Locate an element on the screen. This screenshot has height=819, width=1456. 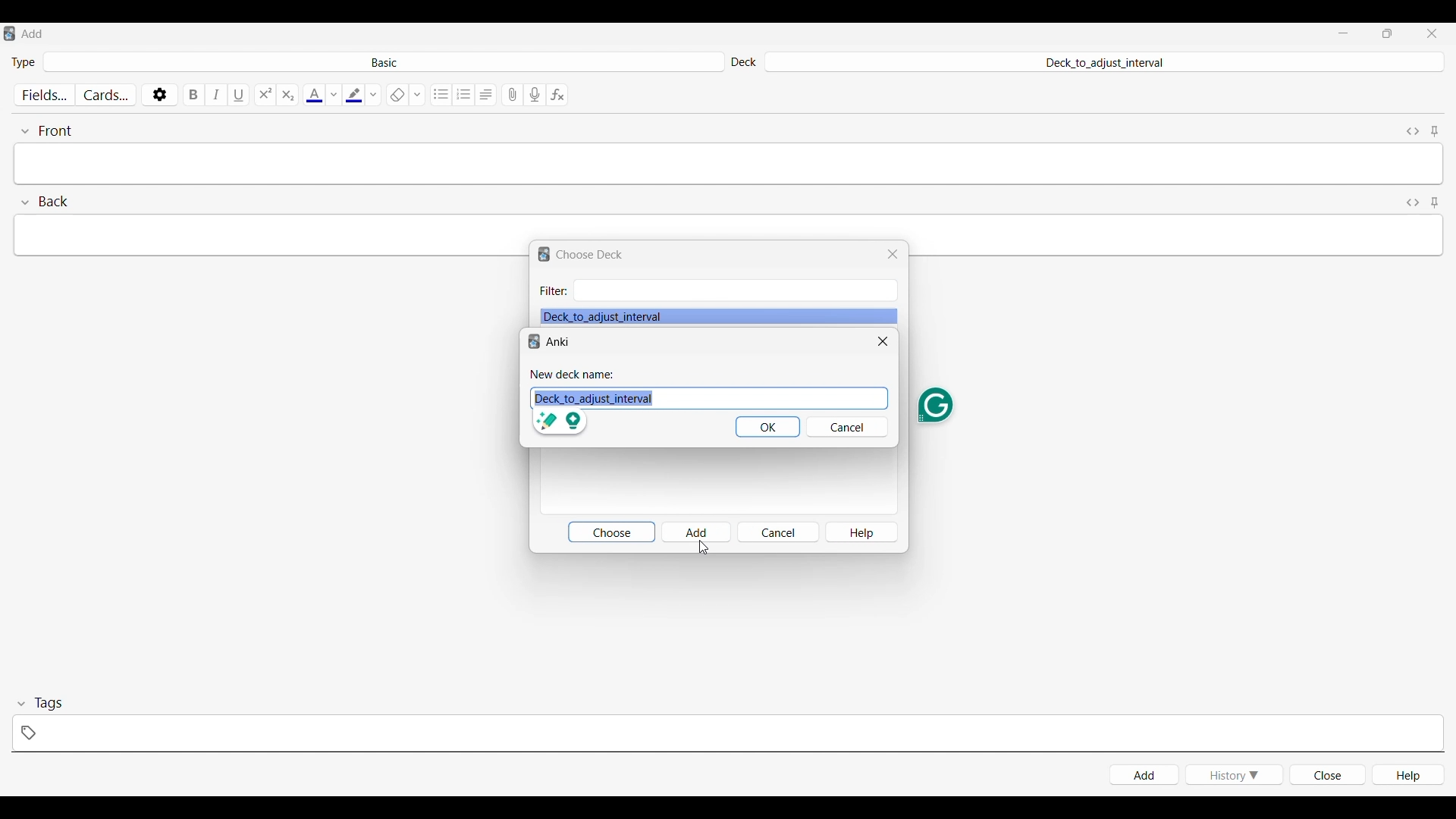
Selected text color is located at coordinates (313, 95).